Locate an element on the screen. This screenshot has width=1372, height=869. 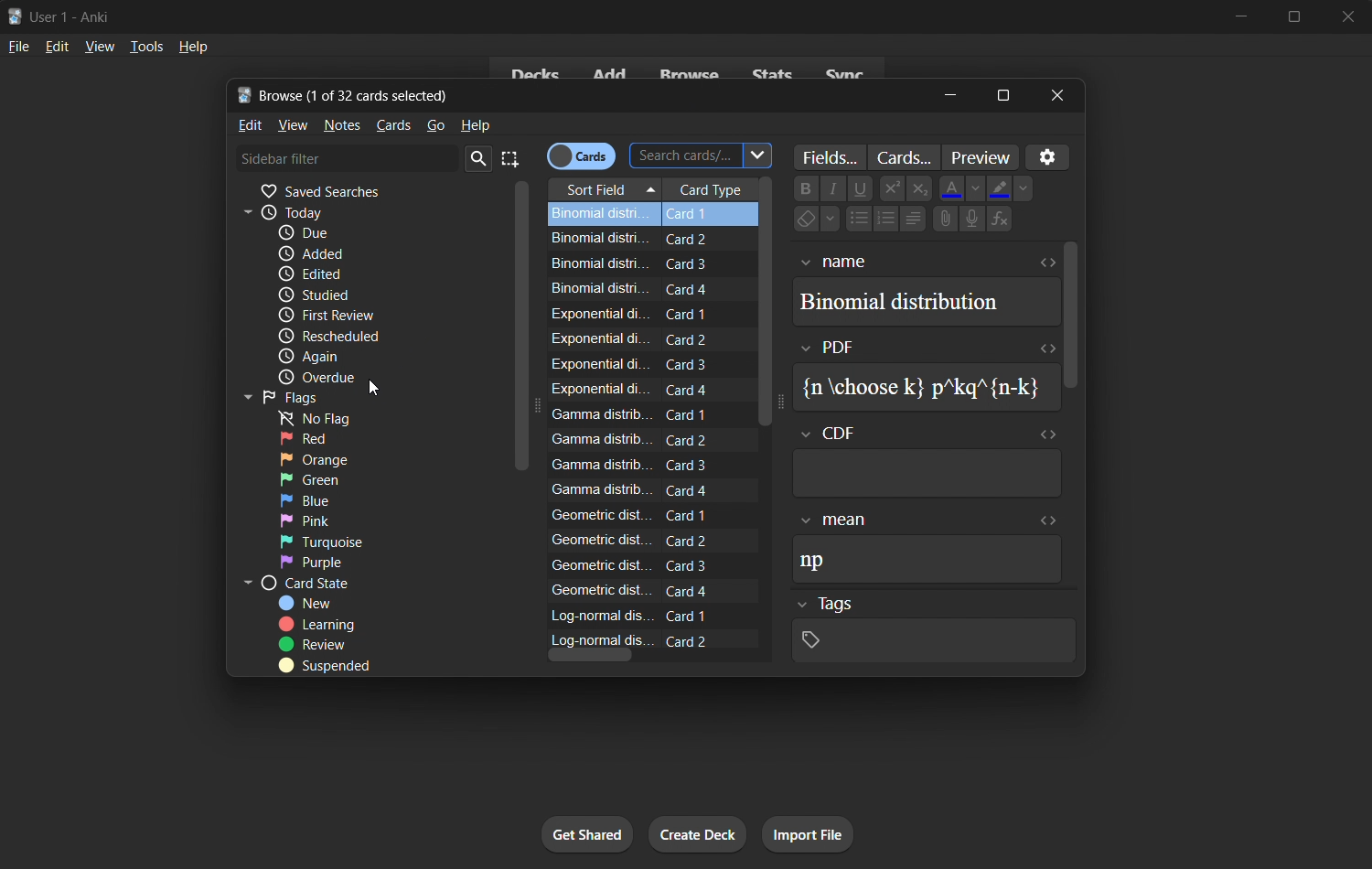
no flag  is located at coordinates (336, 418).